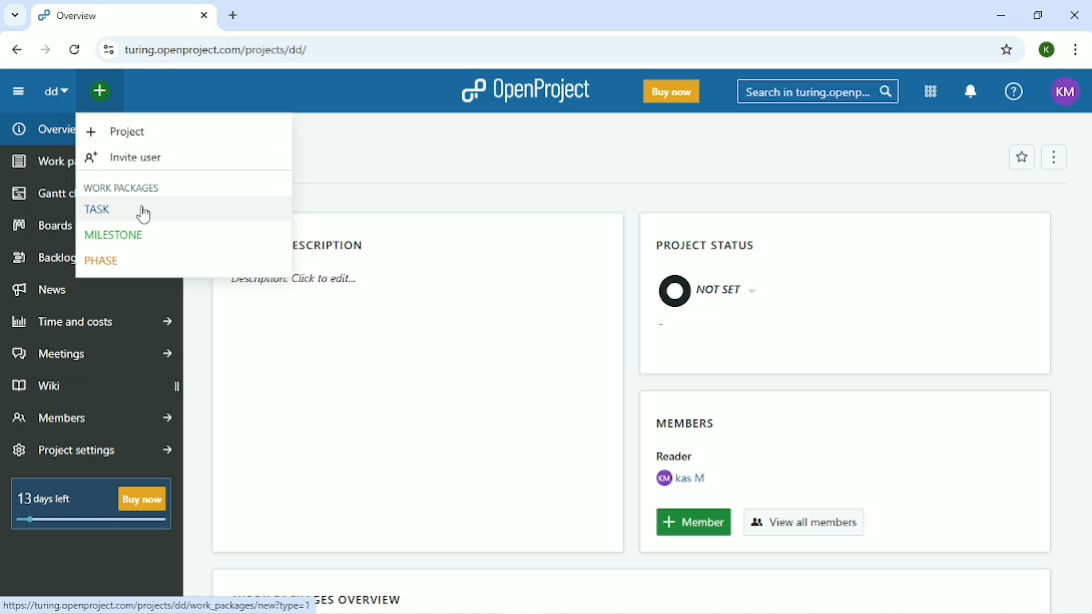 The height and width of the screenshot is (614, 1092). I want to click on K, so click(1046, 49).